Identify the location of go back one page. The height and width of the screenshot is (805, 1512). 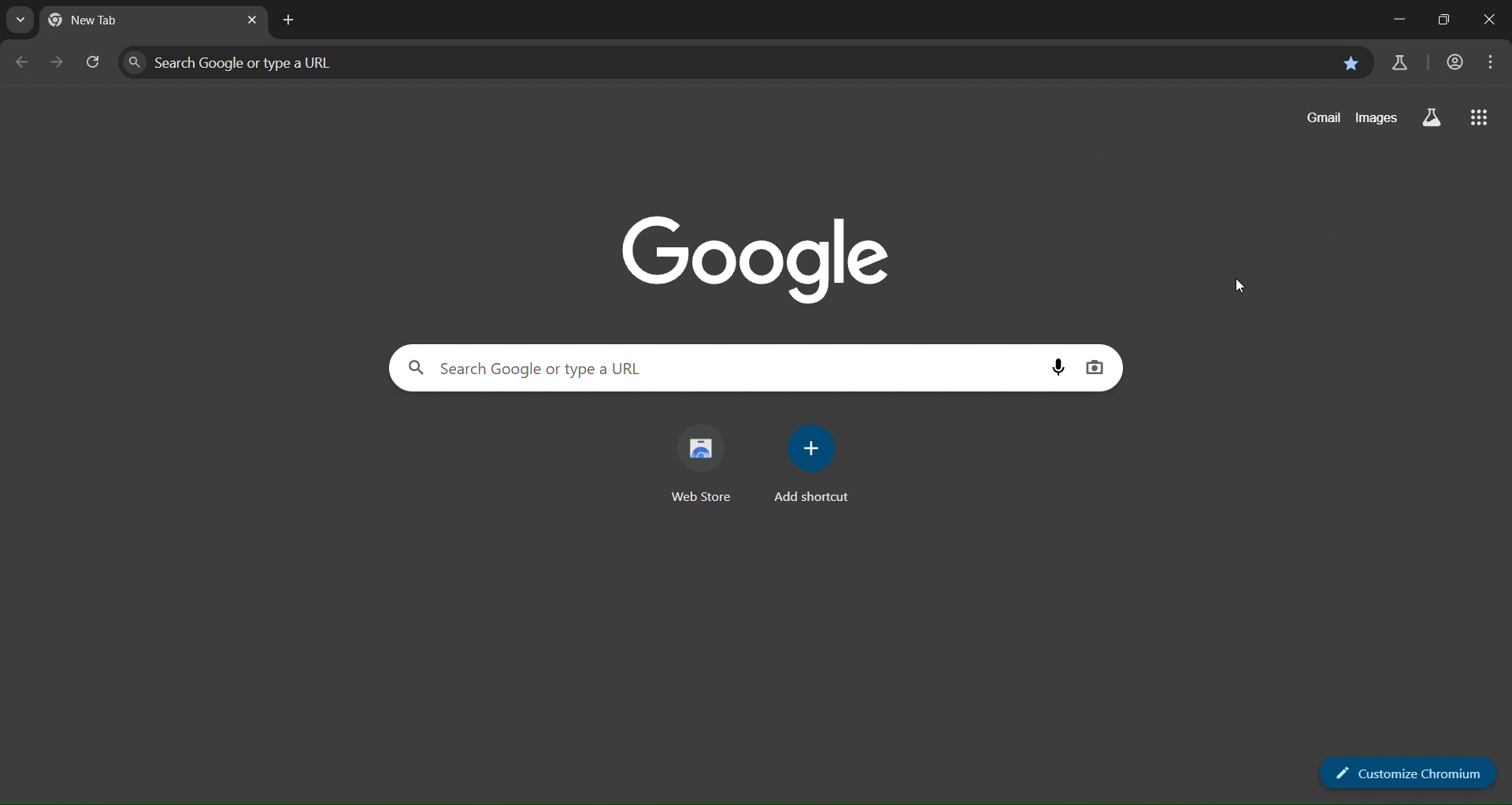
(23, 63).